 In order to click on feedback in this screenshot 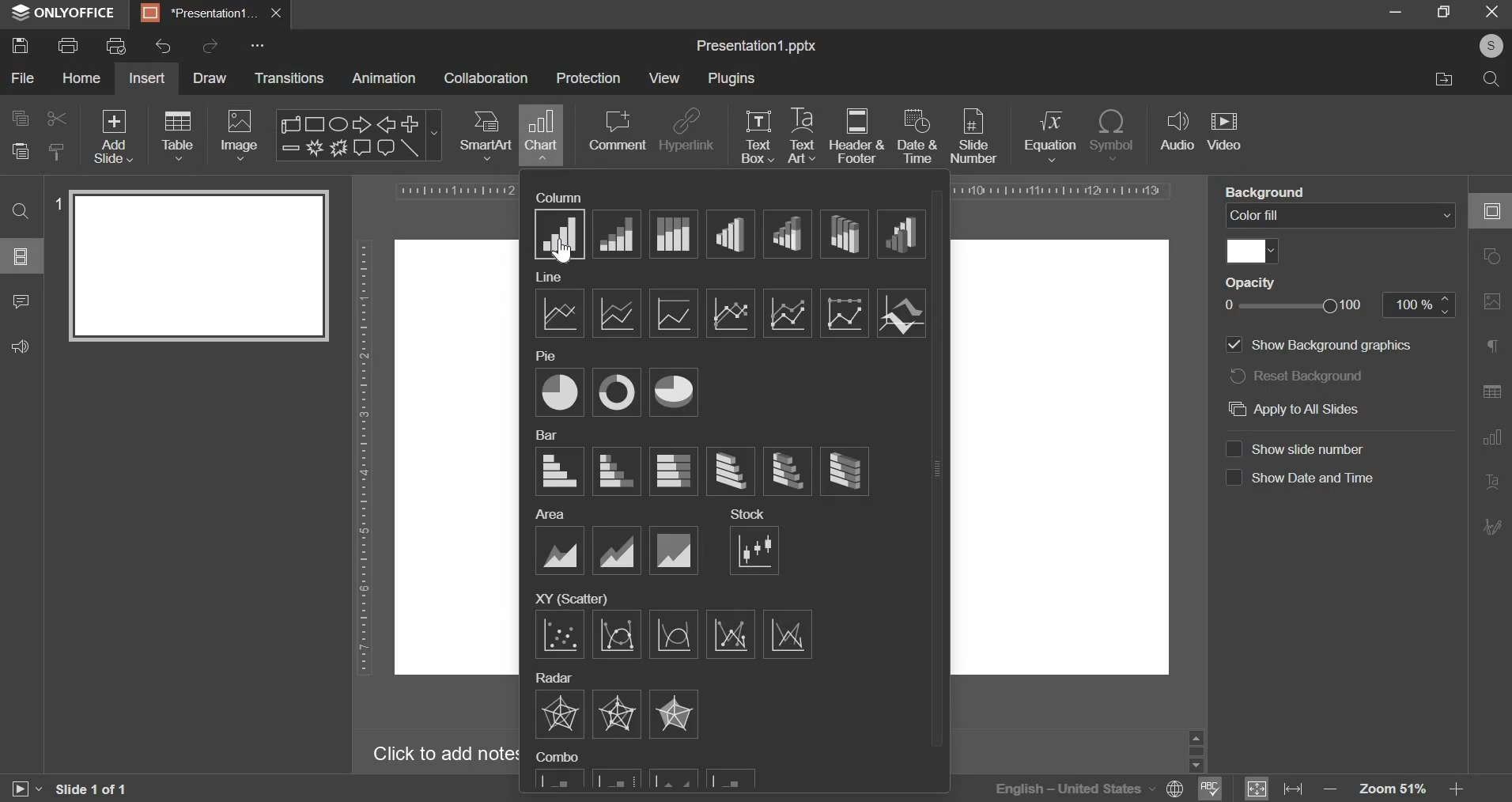, I will do `click(21, 345)`.